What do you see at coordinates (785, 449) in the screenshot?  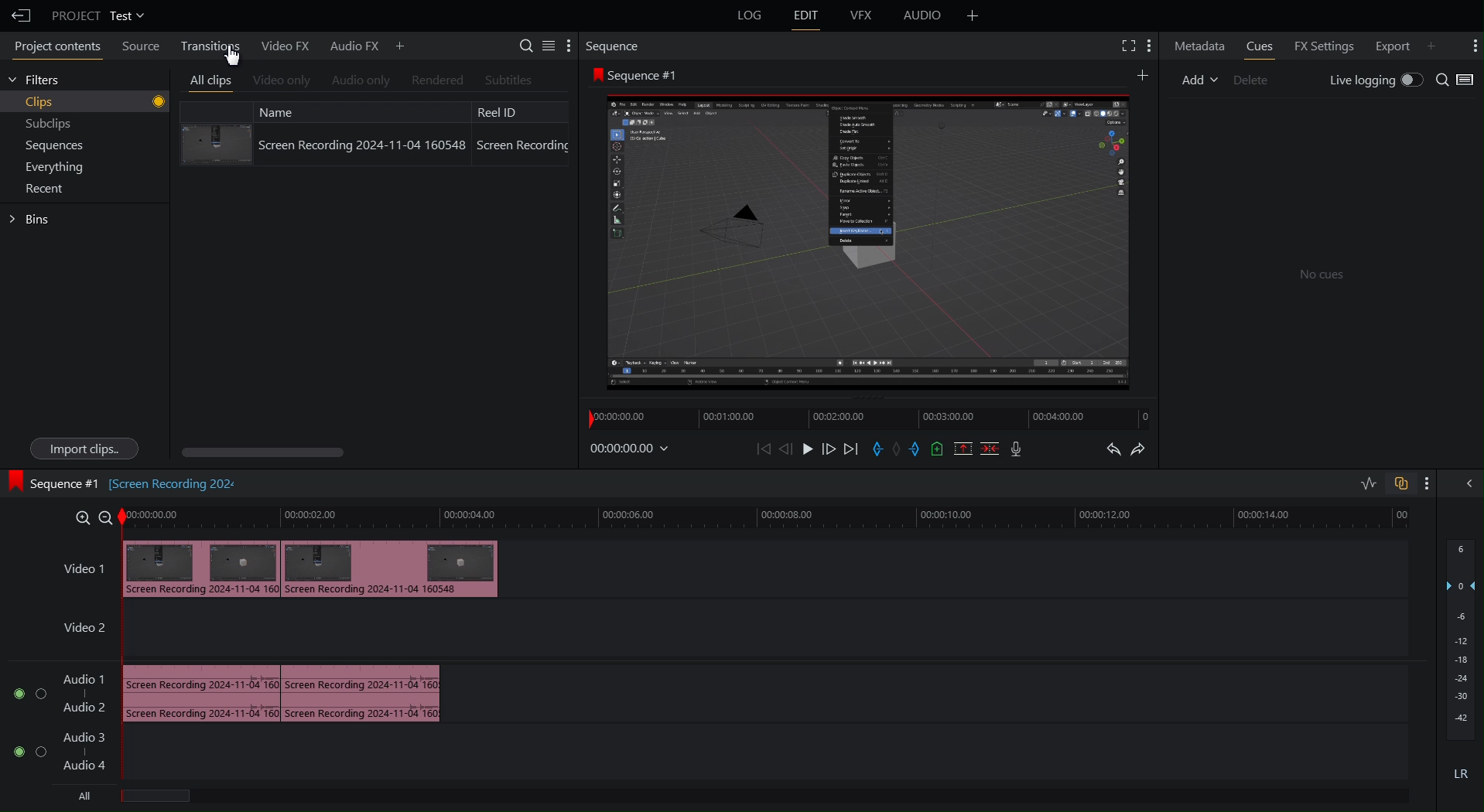 I see `Move Back` at bounding box center [785, 449].